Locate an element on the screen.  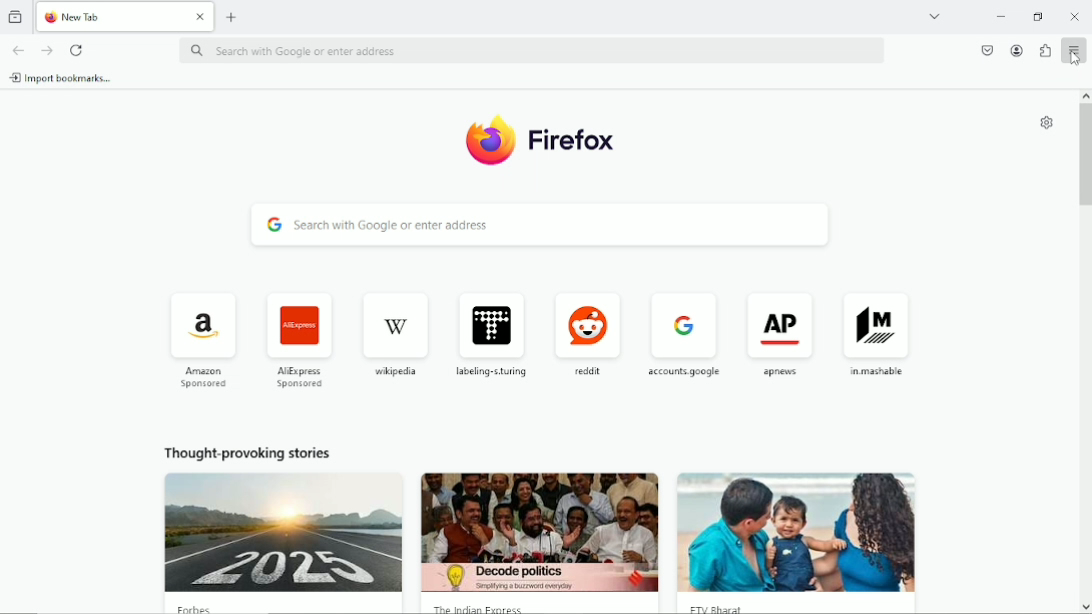
Amazon is located at coordinates (200, 338).